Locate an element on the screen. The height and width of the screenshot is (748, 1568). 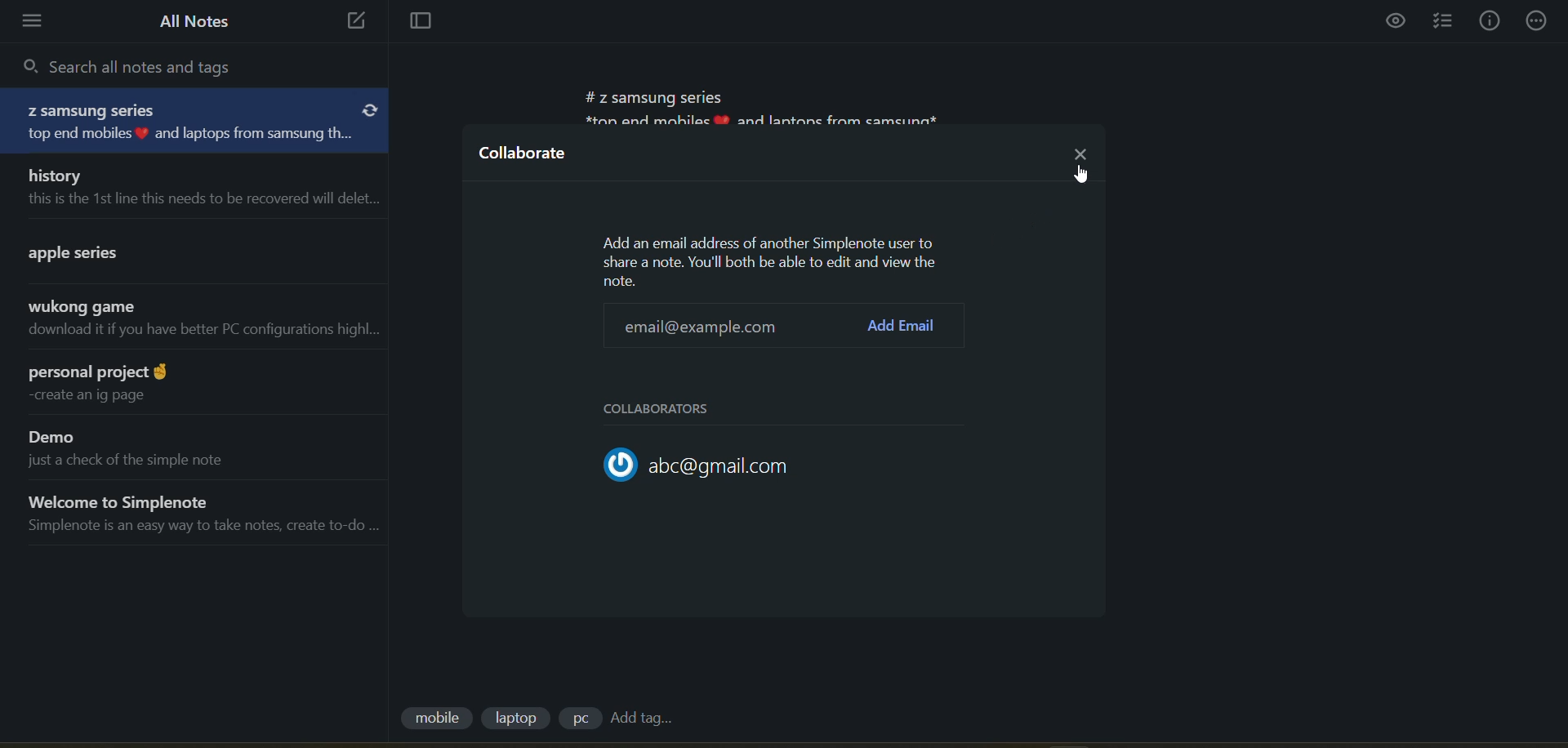
note title and preview is located at coordinates (181, 250).